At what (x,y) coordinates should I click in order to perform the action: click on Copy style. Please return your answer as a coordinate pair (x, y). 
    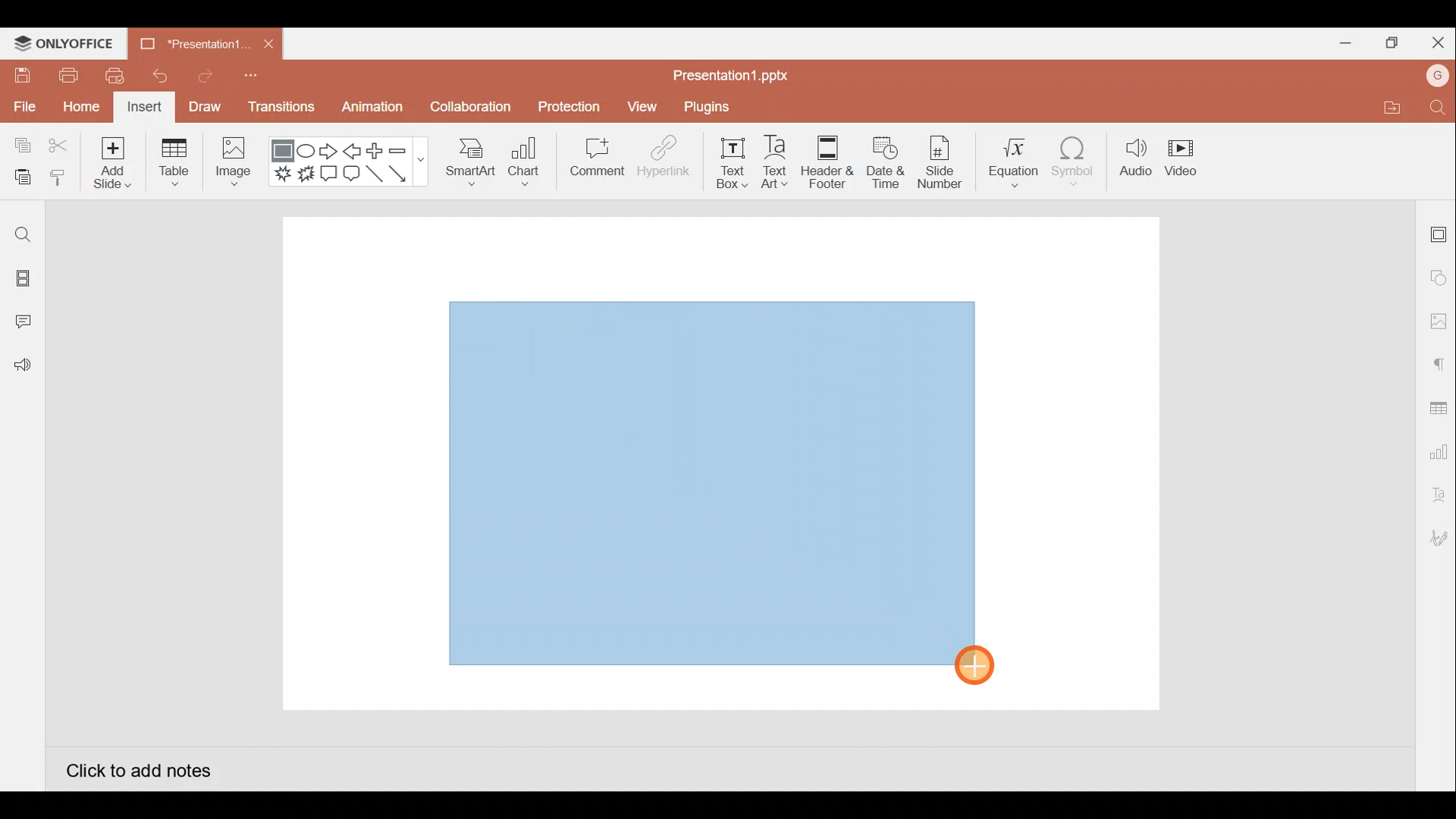
    Looking at the image, I should click on (59, 180).